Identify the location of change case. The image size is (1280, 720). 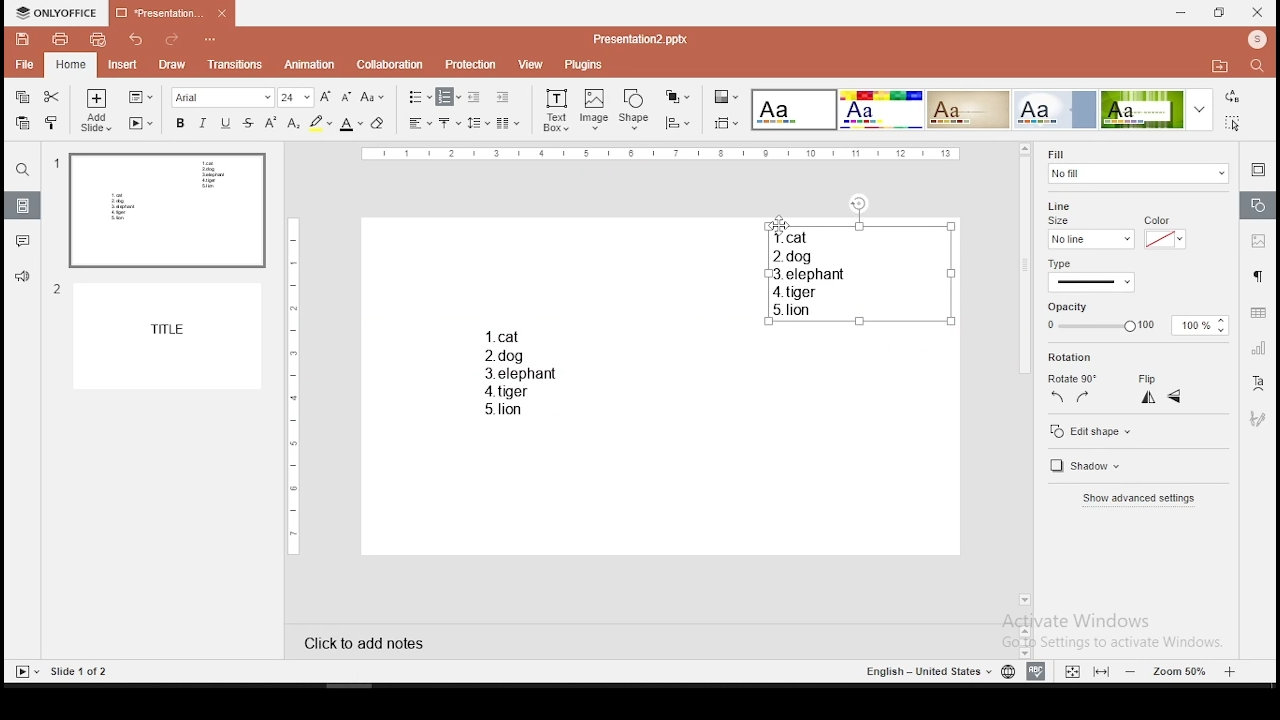
(372, 96).